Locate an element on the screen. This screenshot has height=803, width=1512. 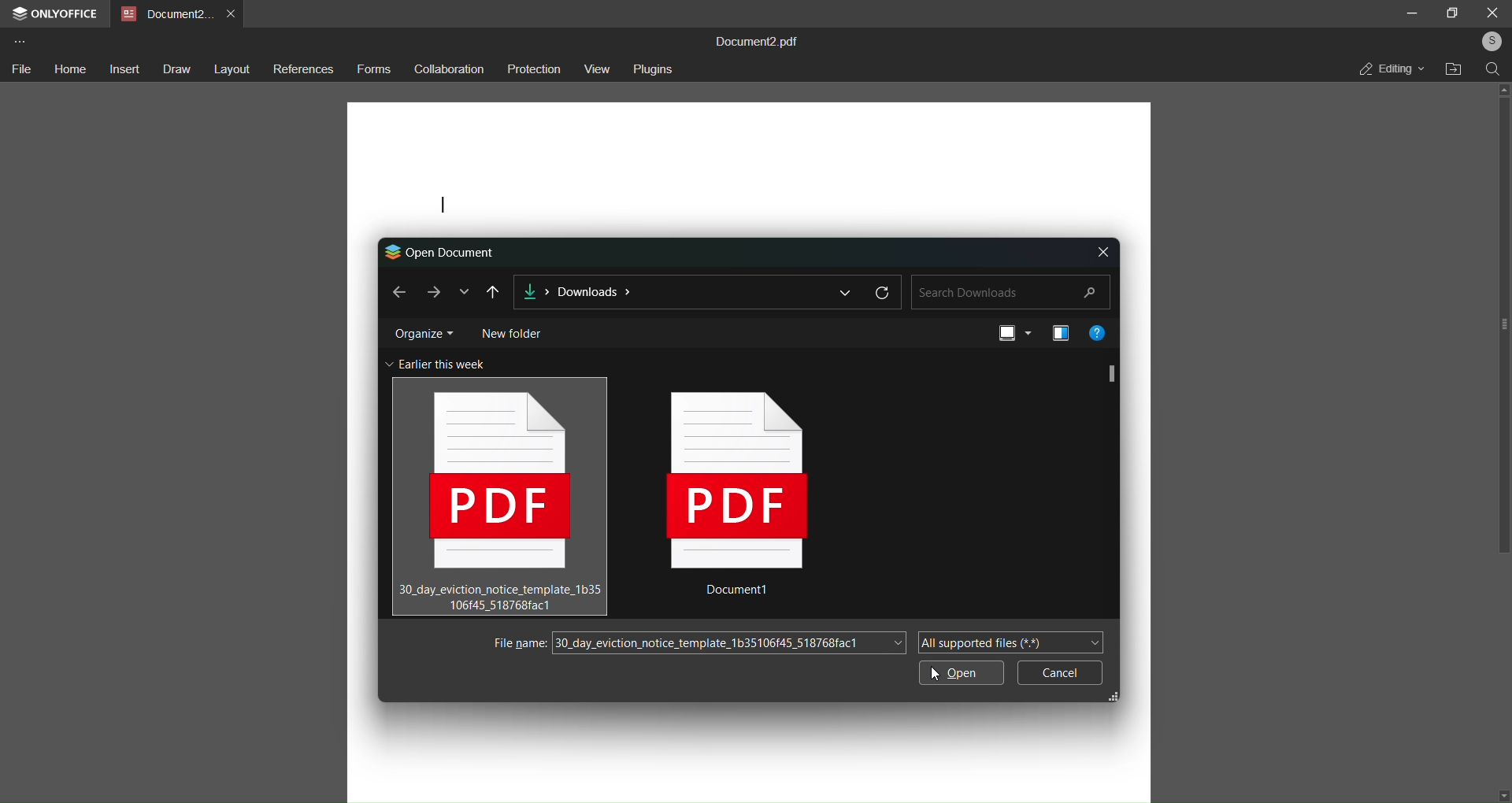
up is located at coordinates (1501, 88).